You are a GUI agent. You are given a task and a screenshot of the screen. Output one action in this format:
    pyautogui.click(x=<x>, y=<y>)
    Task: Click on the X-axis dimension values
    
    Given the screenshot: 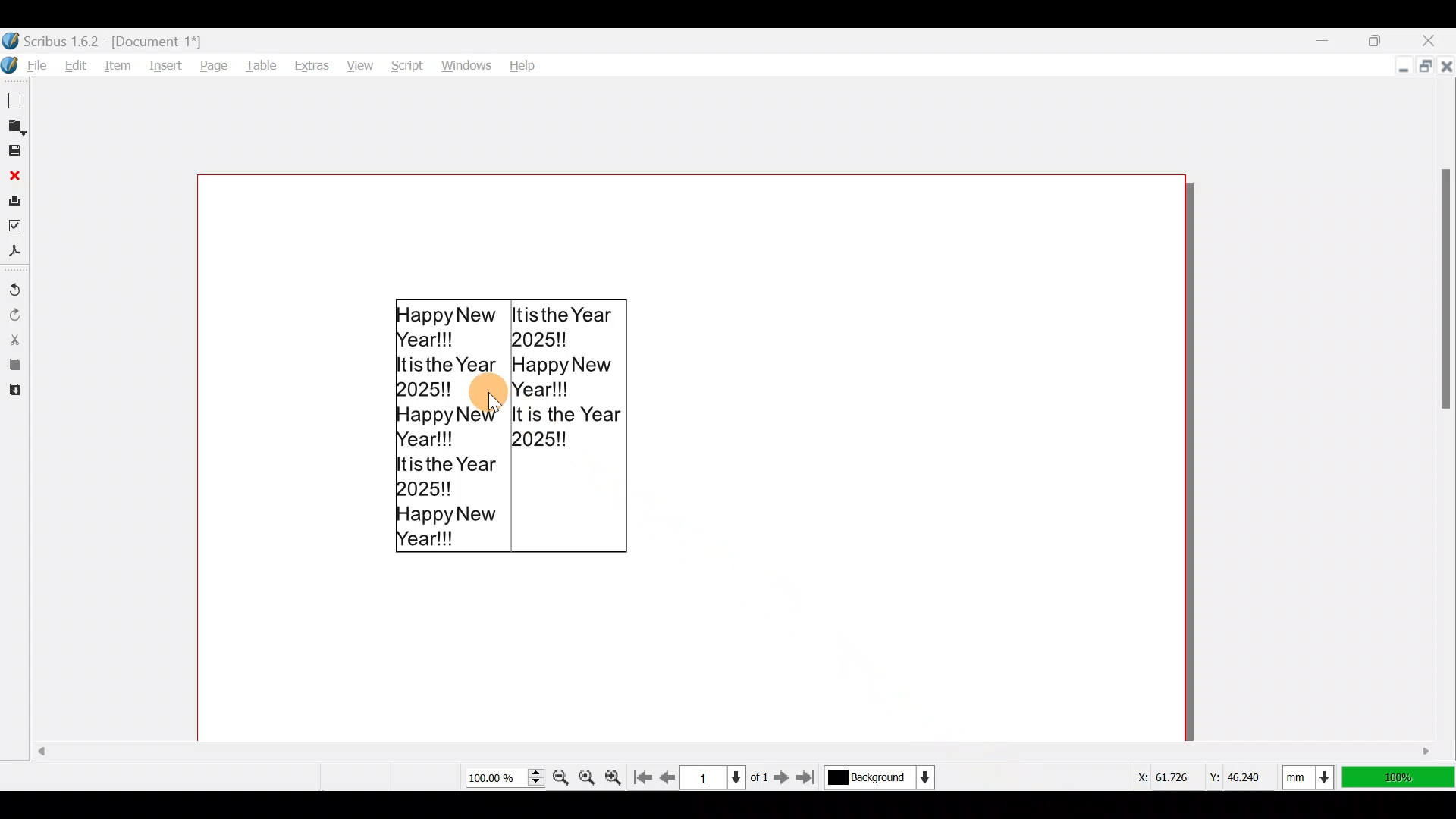 What is the action you would take?
    pyautogui.click(x=1161, y=774)
    